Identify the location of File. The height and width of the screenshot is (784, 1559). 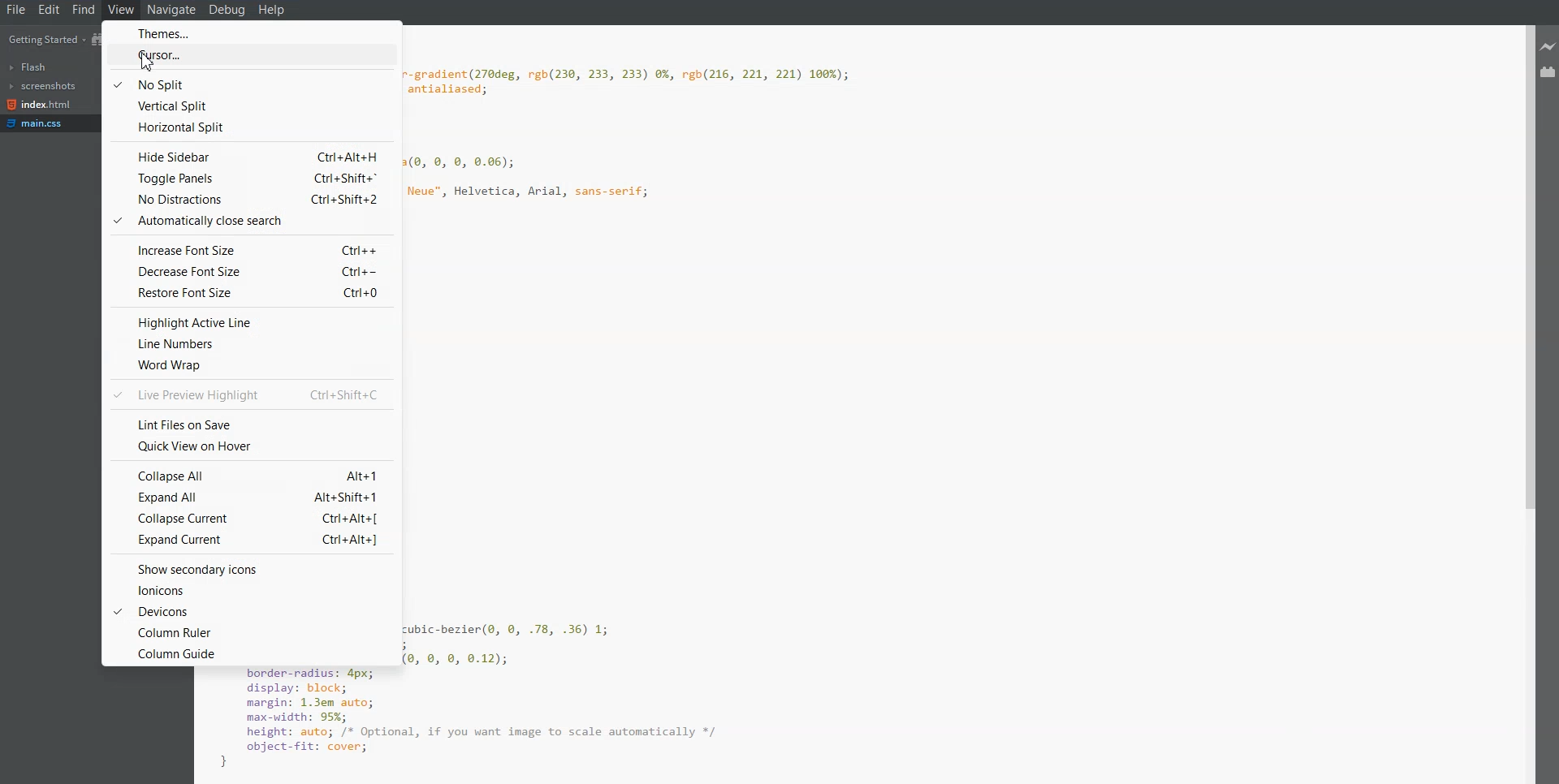
(15, 10).